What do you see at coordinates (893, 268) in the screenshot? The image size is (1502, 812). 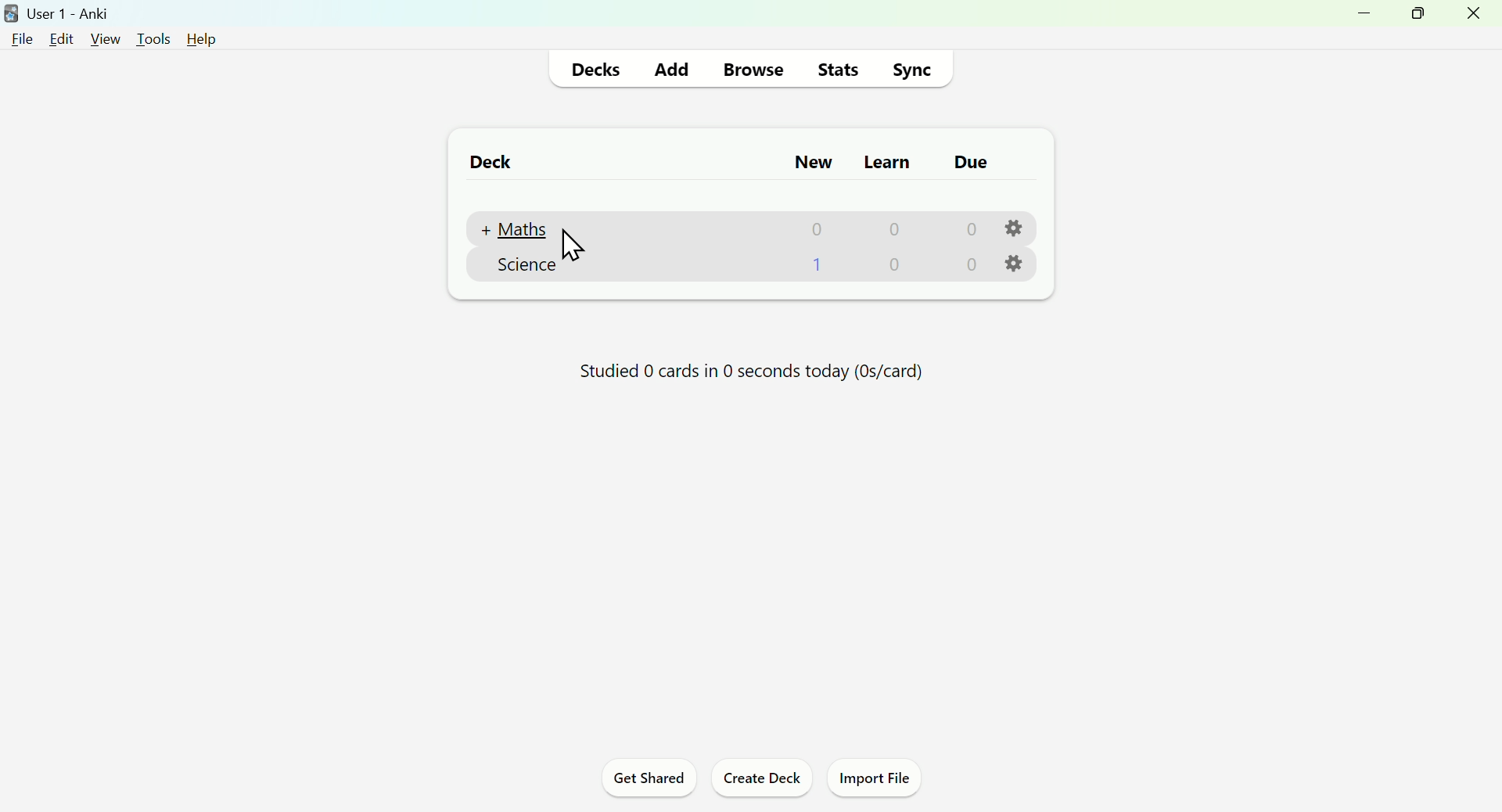 I see `0` at bounding box center [893, 268].